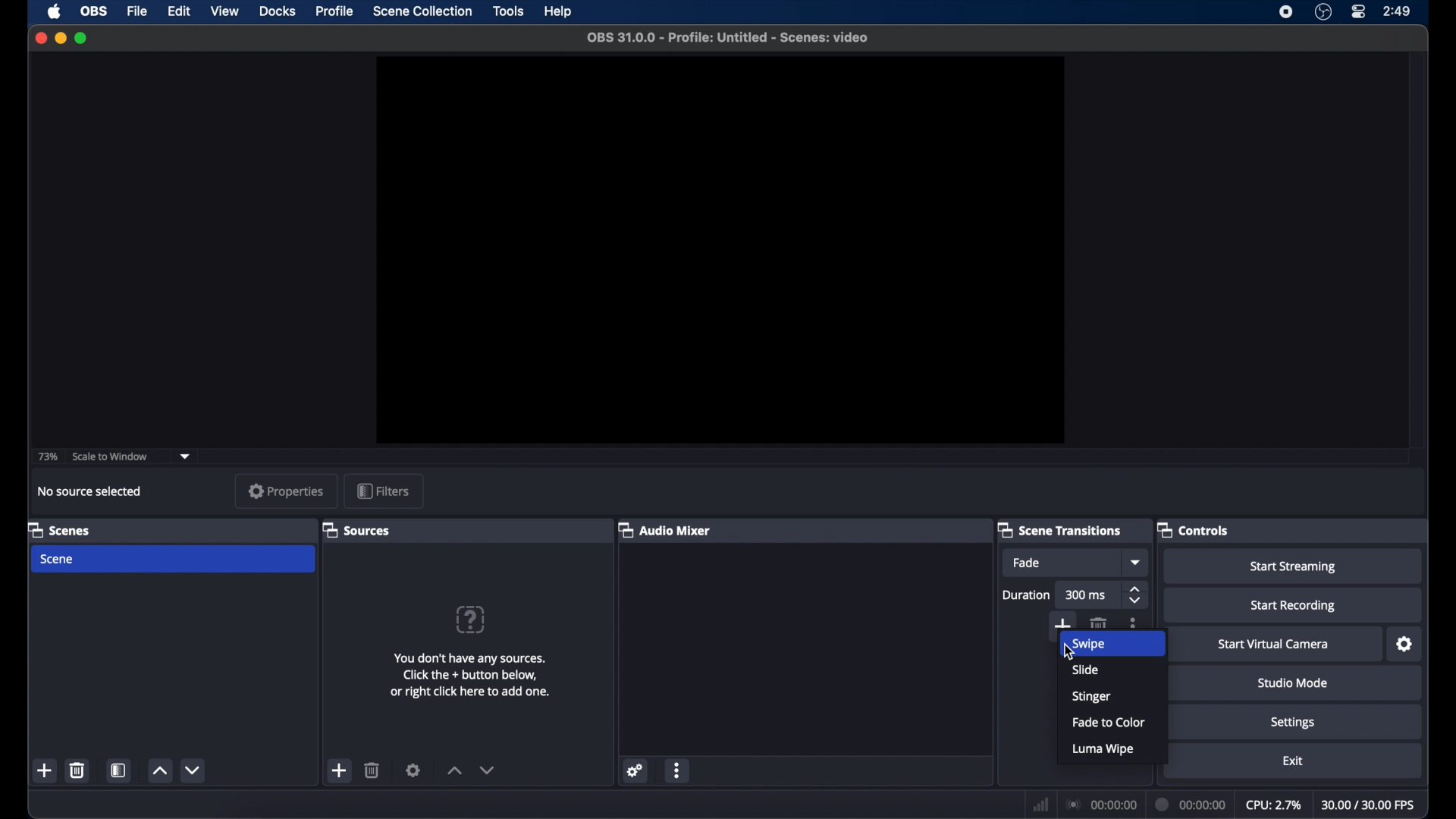 The image size is (1456, 819). I want to click on studio mode, so click(1293, 682).